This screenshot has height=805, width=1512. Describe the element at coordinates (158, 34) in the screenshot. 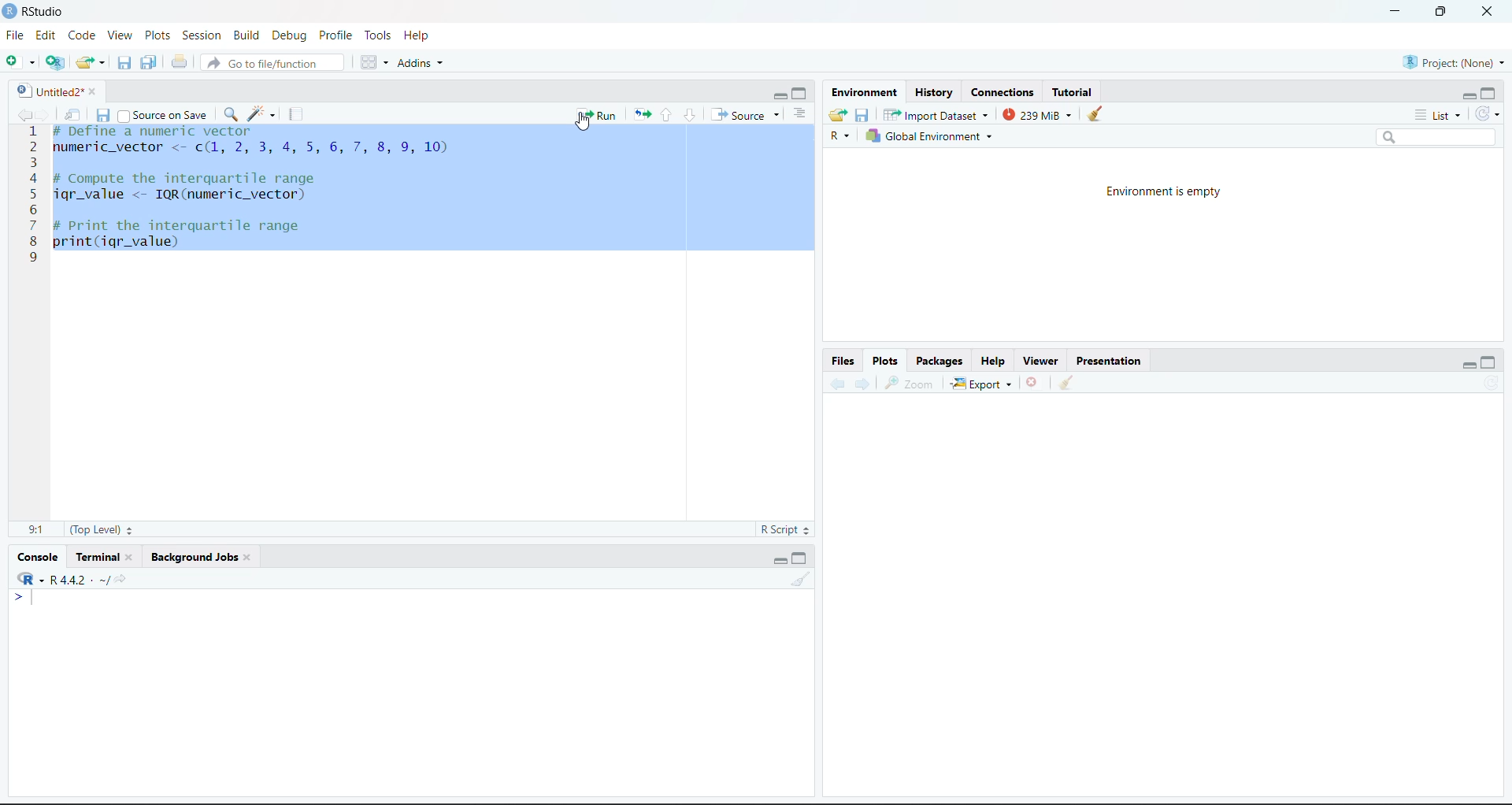

I see `Plots` at that location.